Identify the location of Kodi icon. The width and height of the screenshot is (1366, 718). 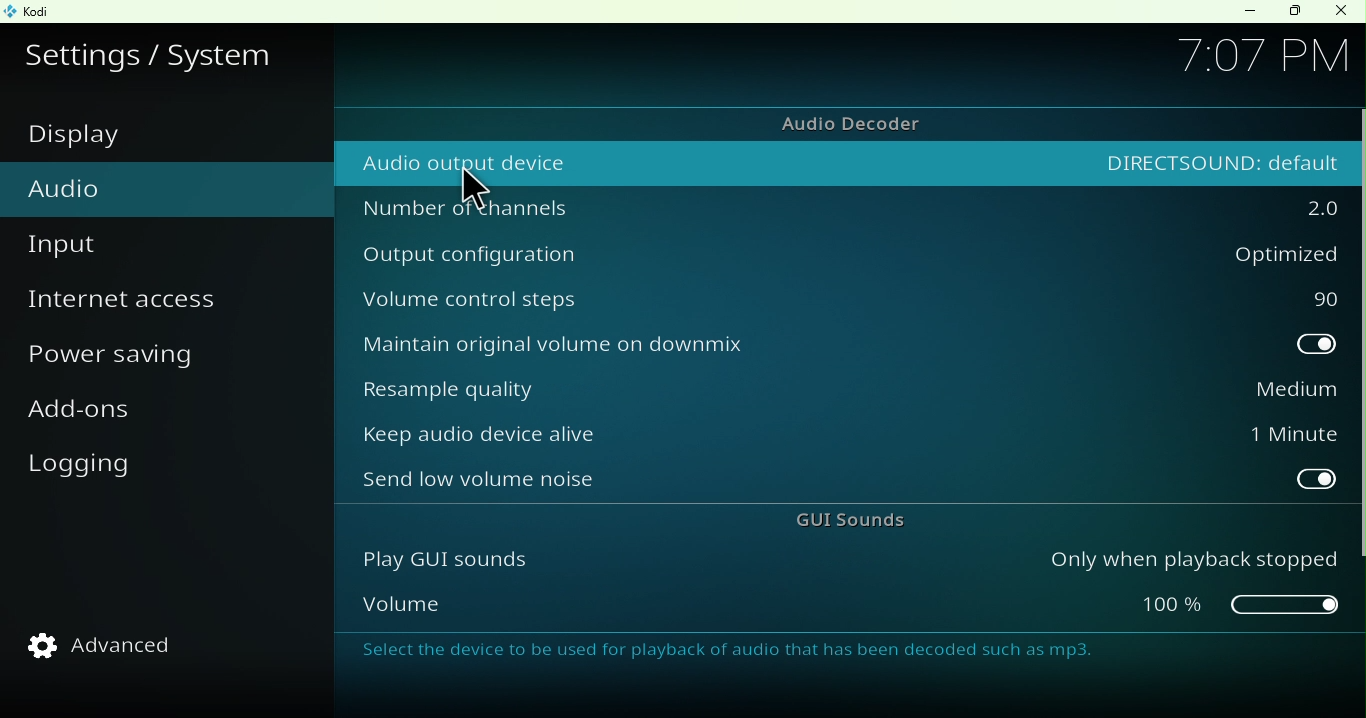
(32, 11).